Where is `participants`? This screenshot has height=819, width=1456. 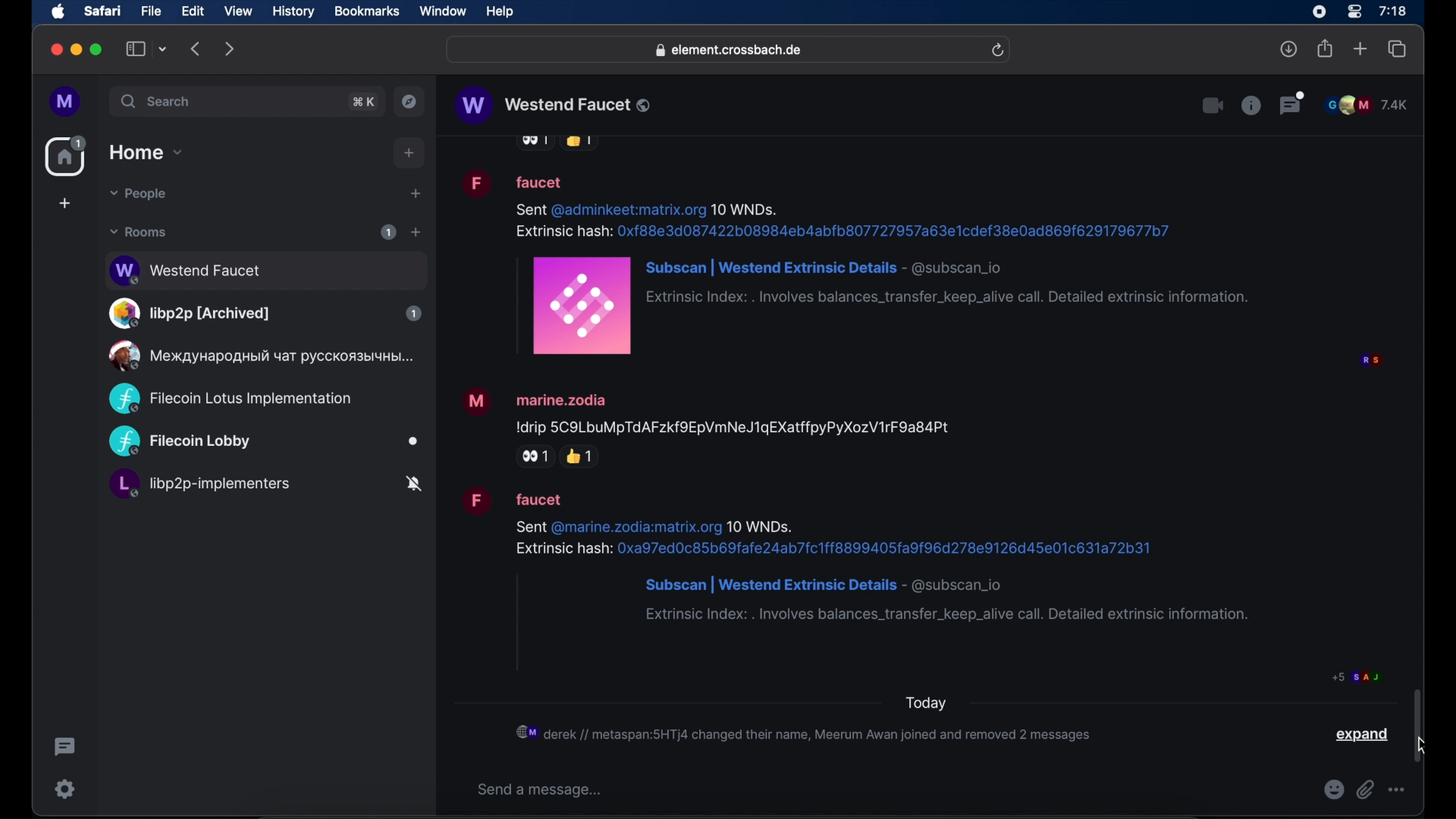 participants is located at coordinates (1370, 361).